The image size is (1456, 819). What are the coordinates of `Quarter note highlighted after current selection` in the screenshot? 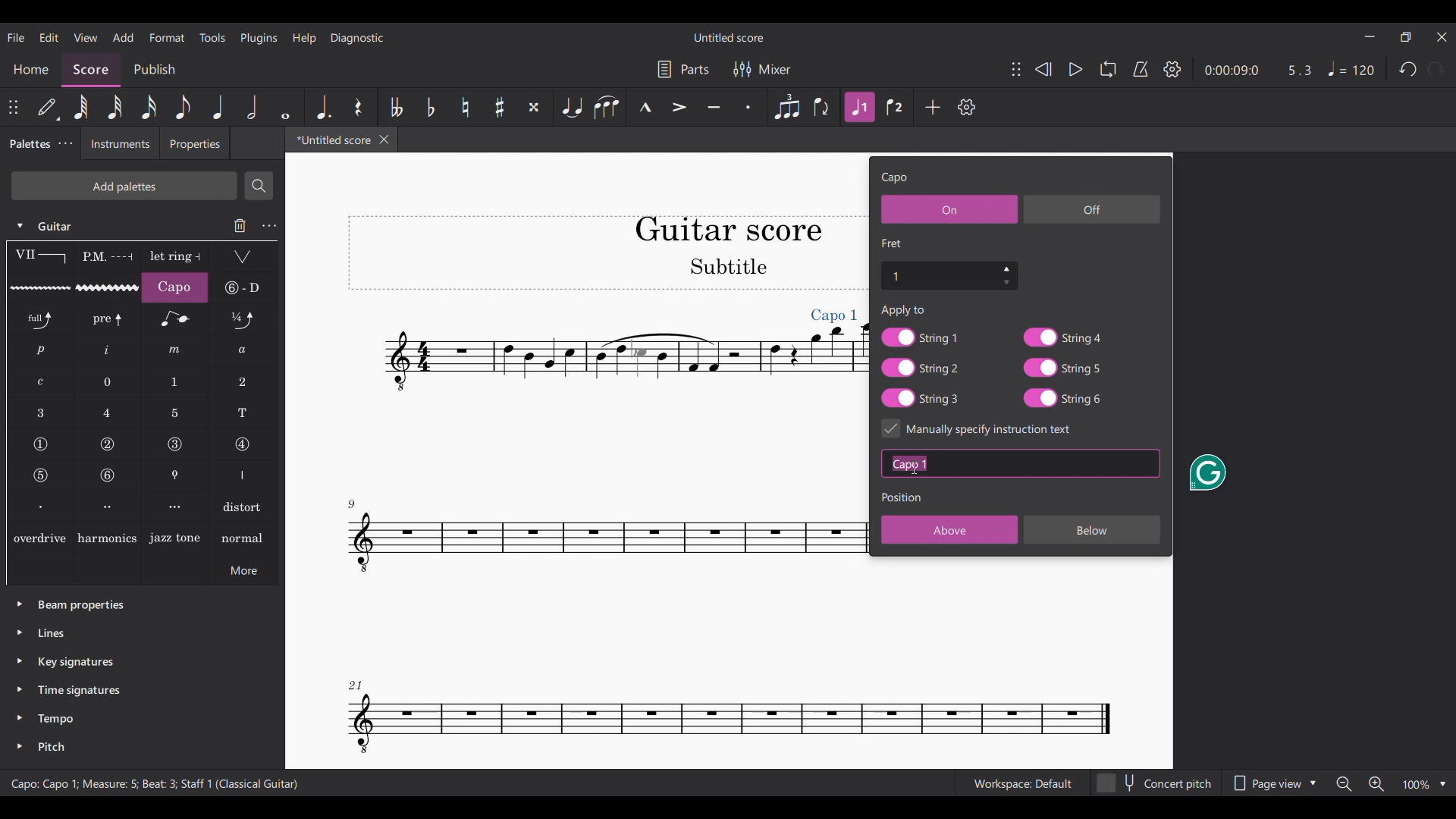 It's located at (216, 106).